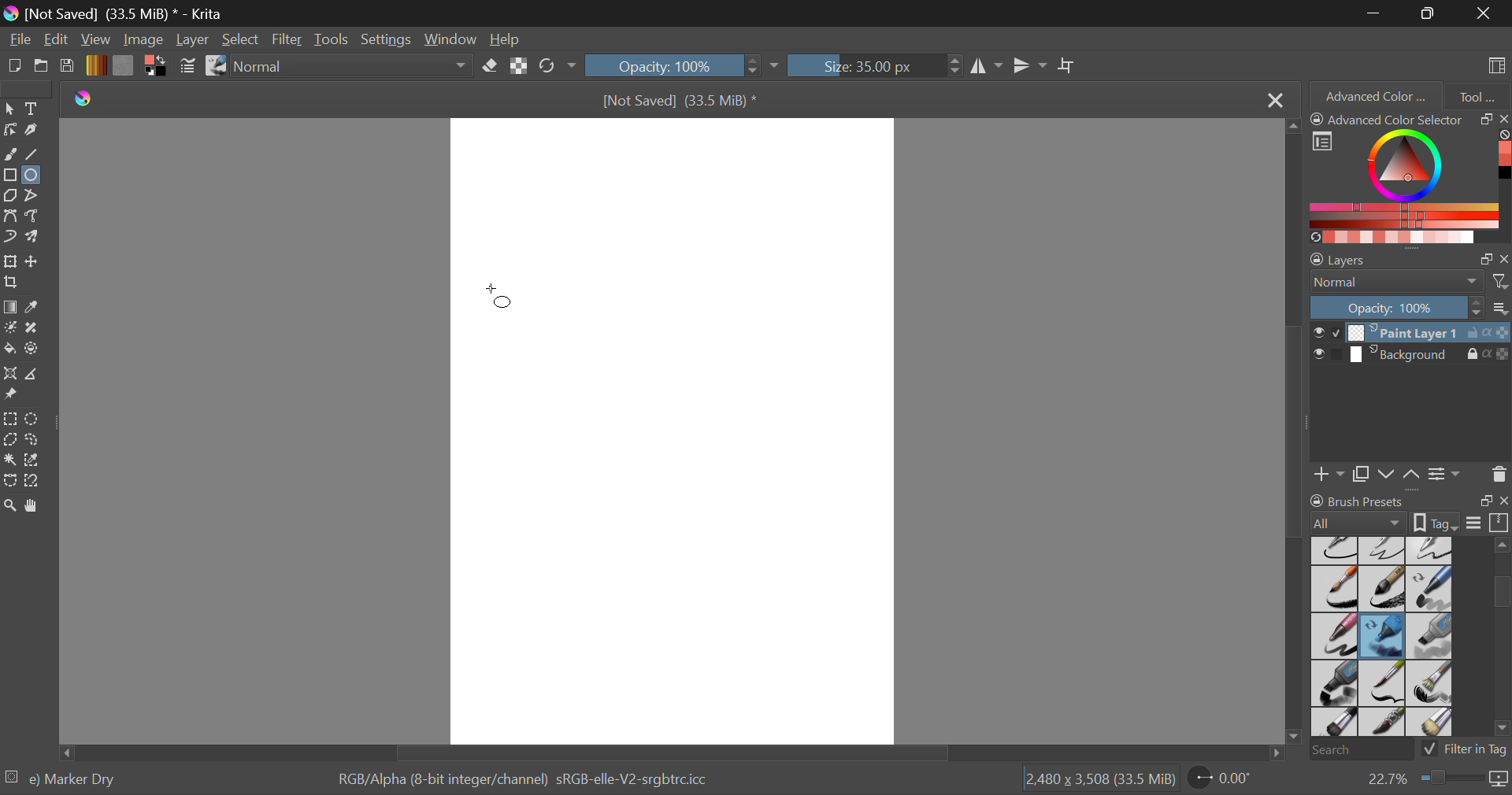  I want to click on Bristles-4 Glaze, so click(1384, 723).